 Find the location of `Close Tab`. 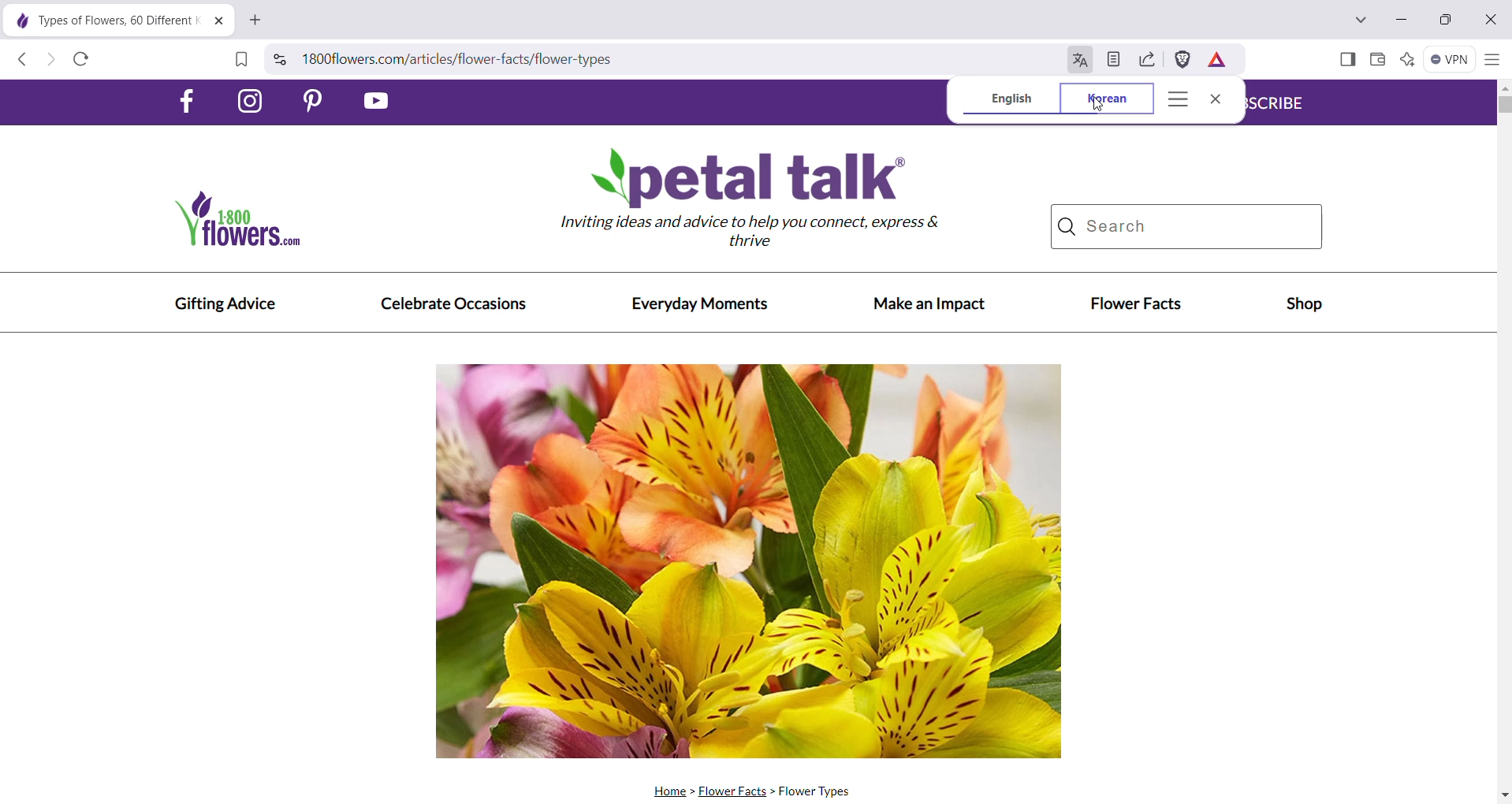

Close Tab is located at coordinates (216, 20).